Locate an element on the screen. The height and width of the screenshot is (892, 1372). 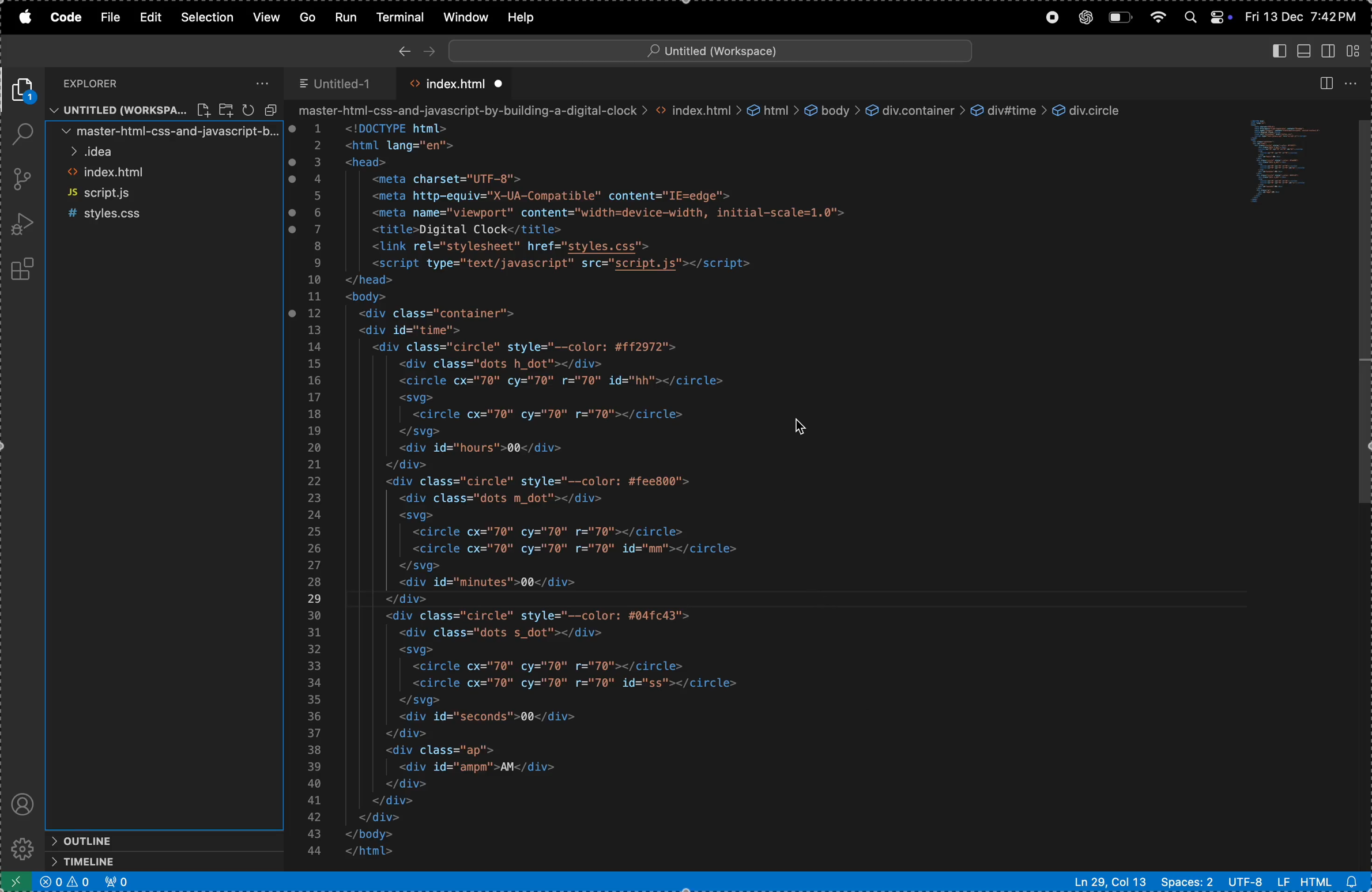
forward is located at coordinates (427, 48).